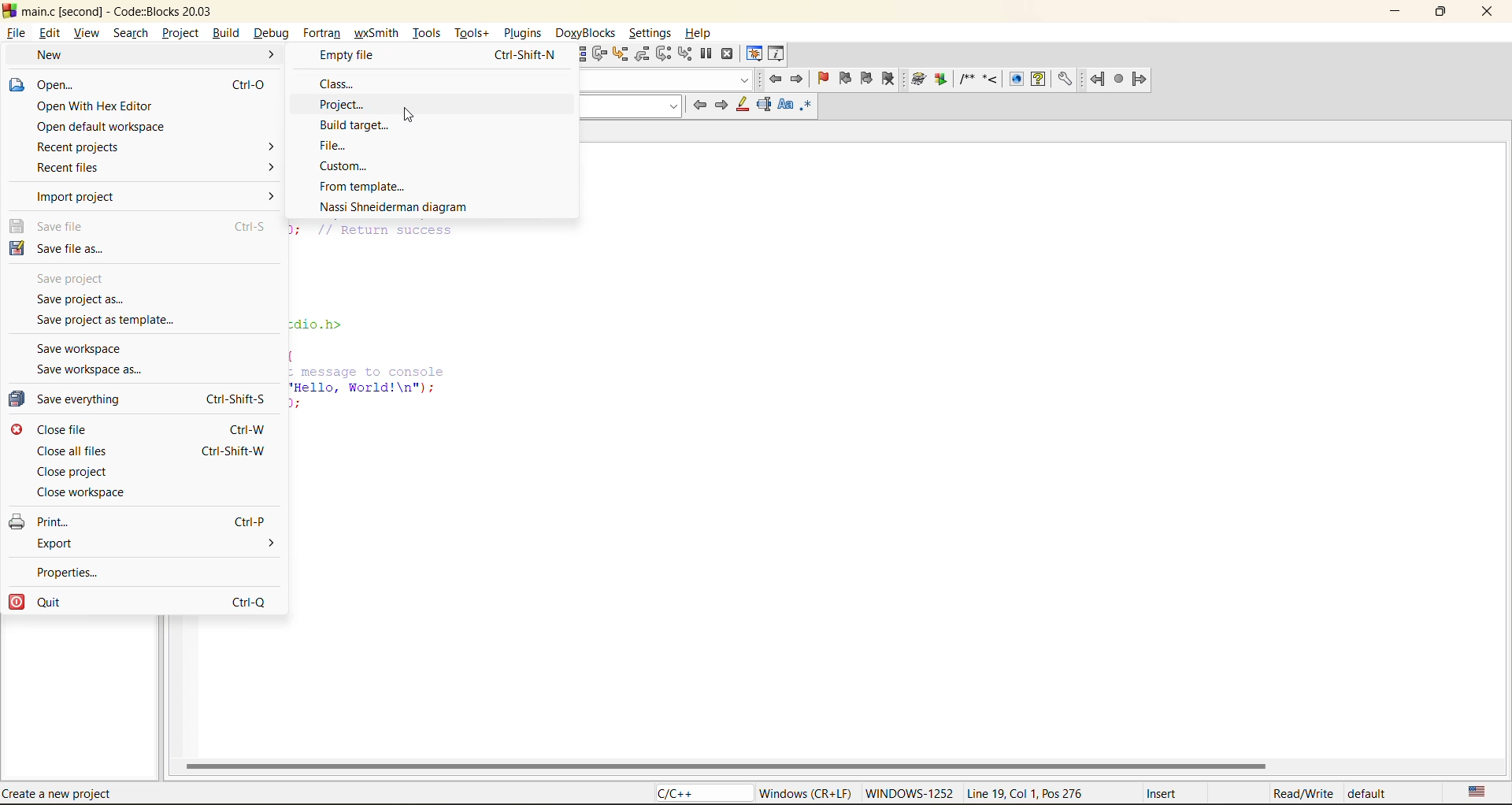  Describe the element at coordinates (78, 470) in the screenshot. I see `close project` at that location.